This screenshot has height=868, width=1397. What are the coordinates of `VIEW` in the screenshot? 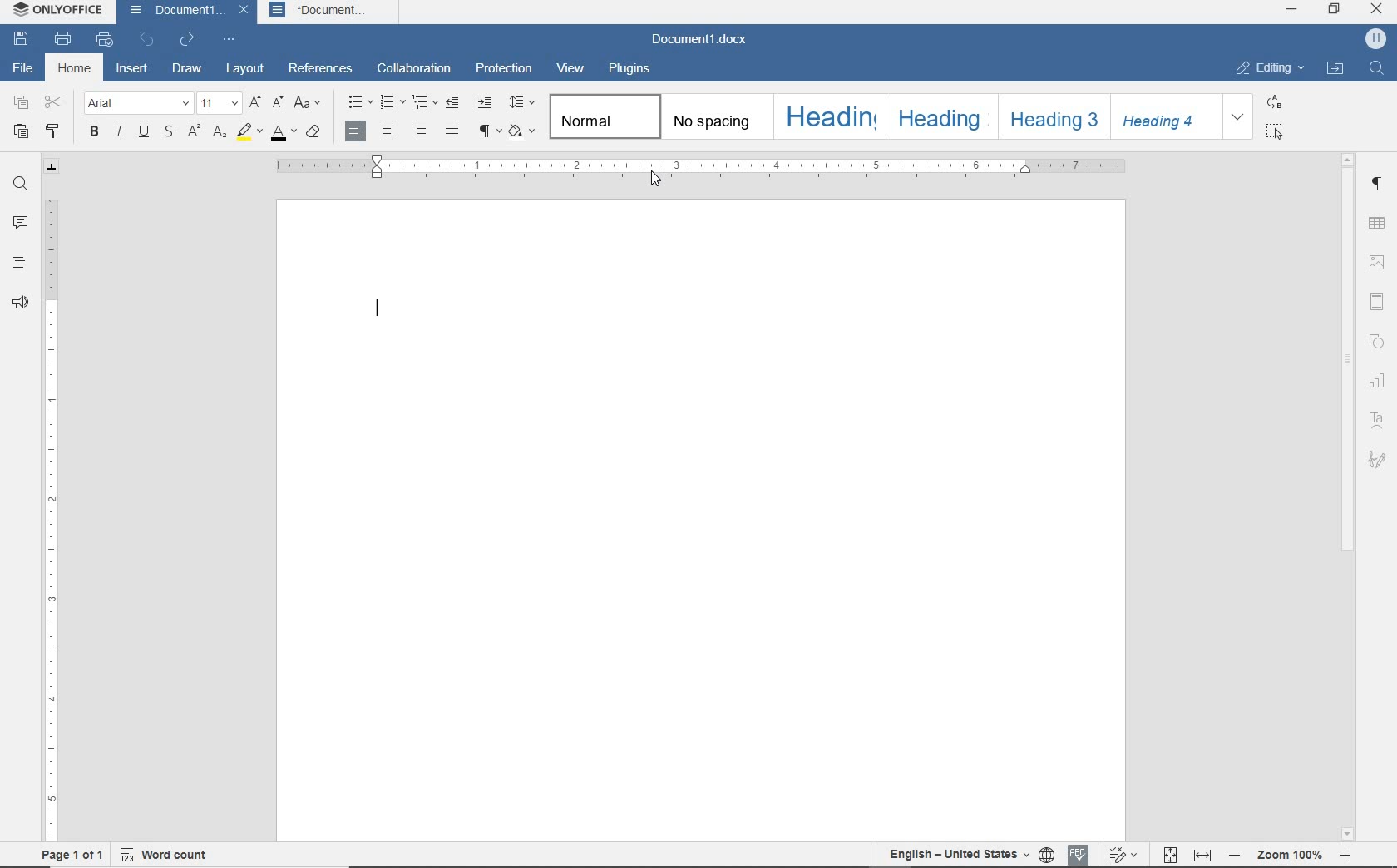 It's located at (571, 69).